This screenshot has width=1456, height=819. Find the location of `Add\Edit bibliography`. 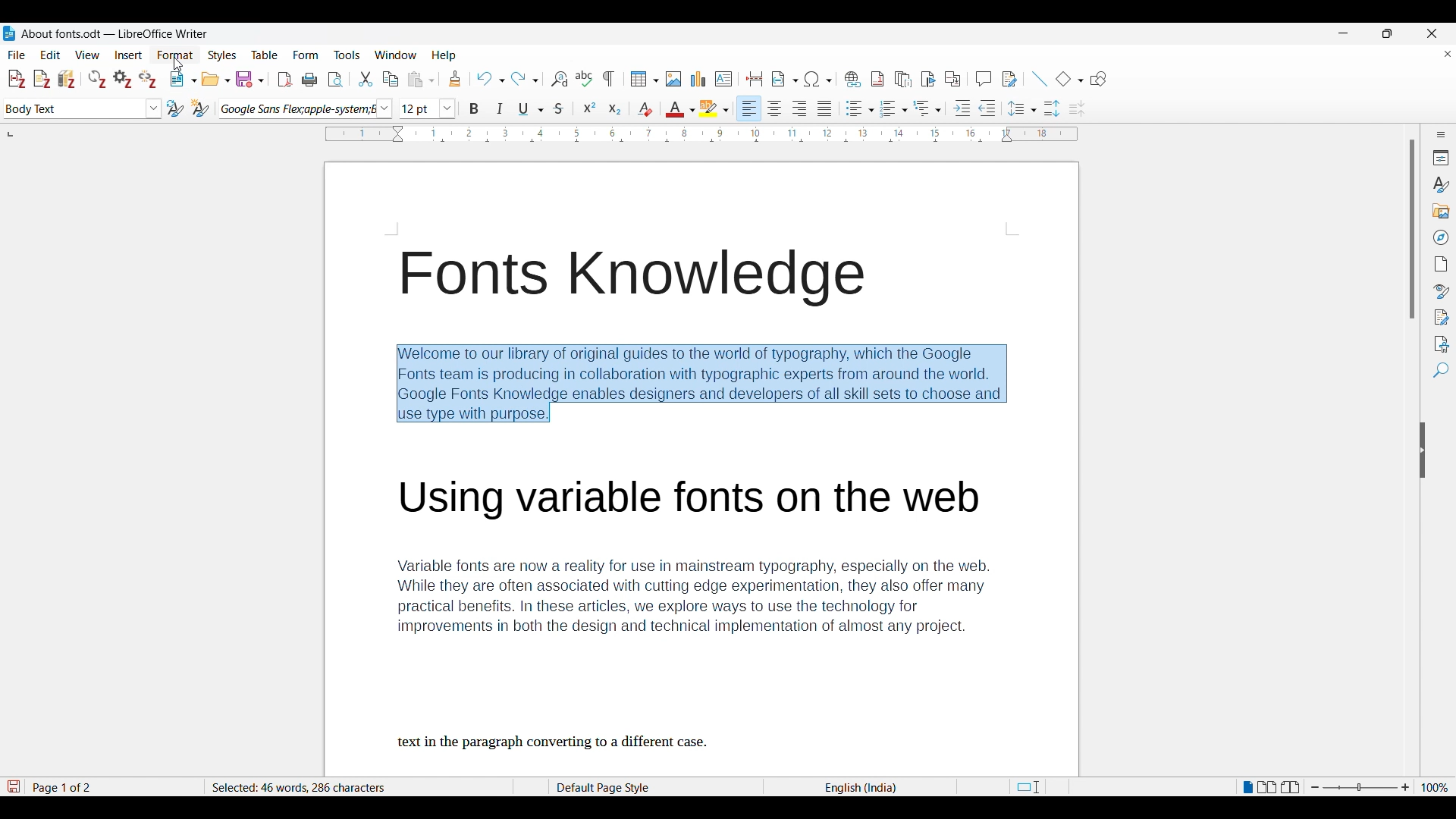

Add\Edit bibliography is located at coordinates (67, 79).